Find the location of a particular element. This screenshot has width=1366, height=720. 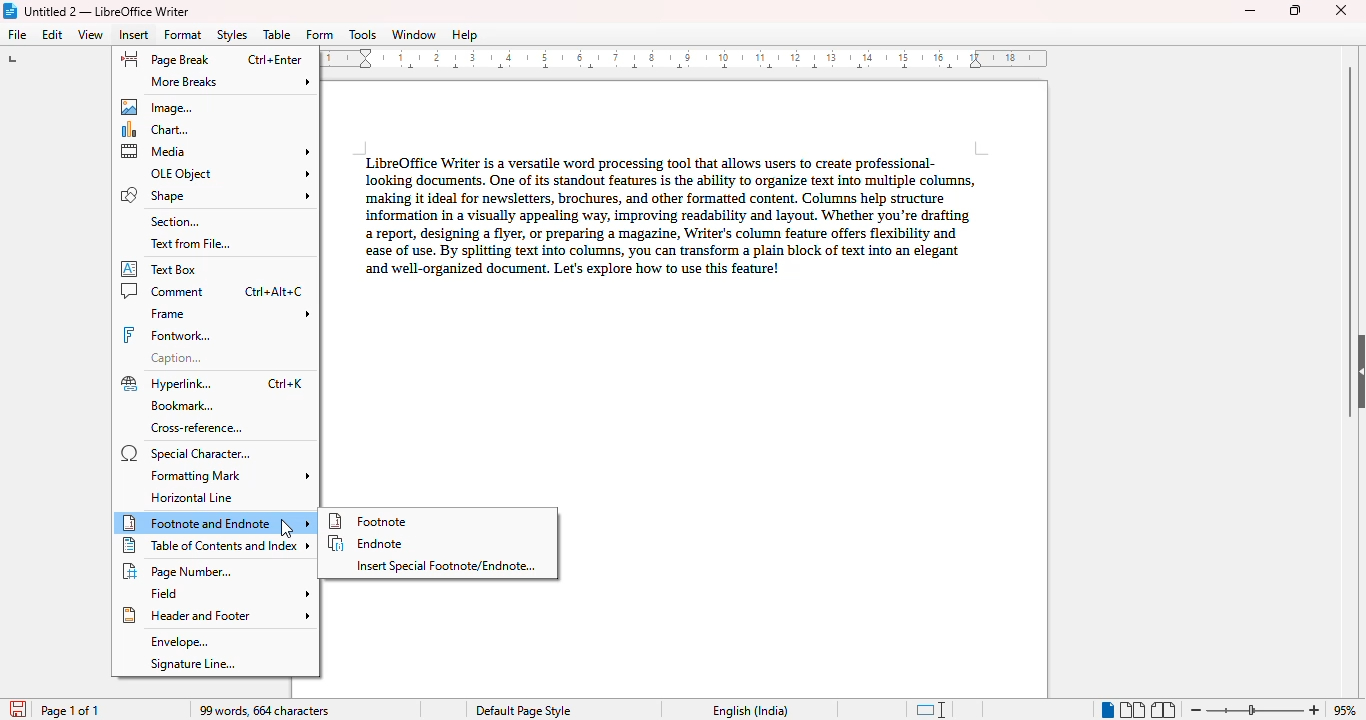

cross-reference is located at coordinates (198, 429).